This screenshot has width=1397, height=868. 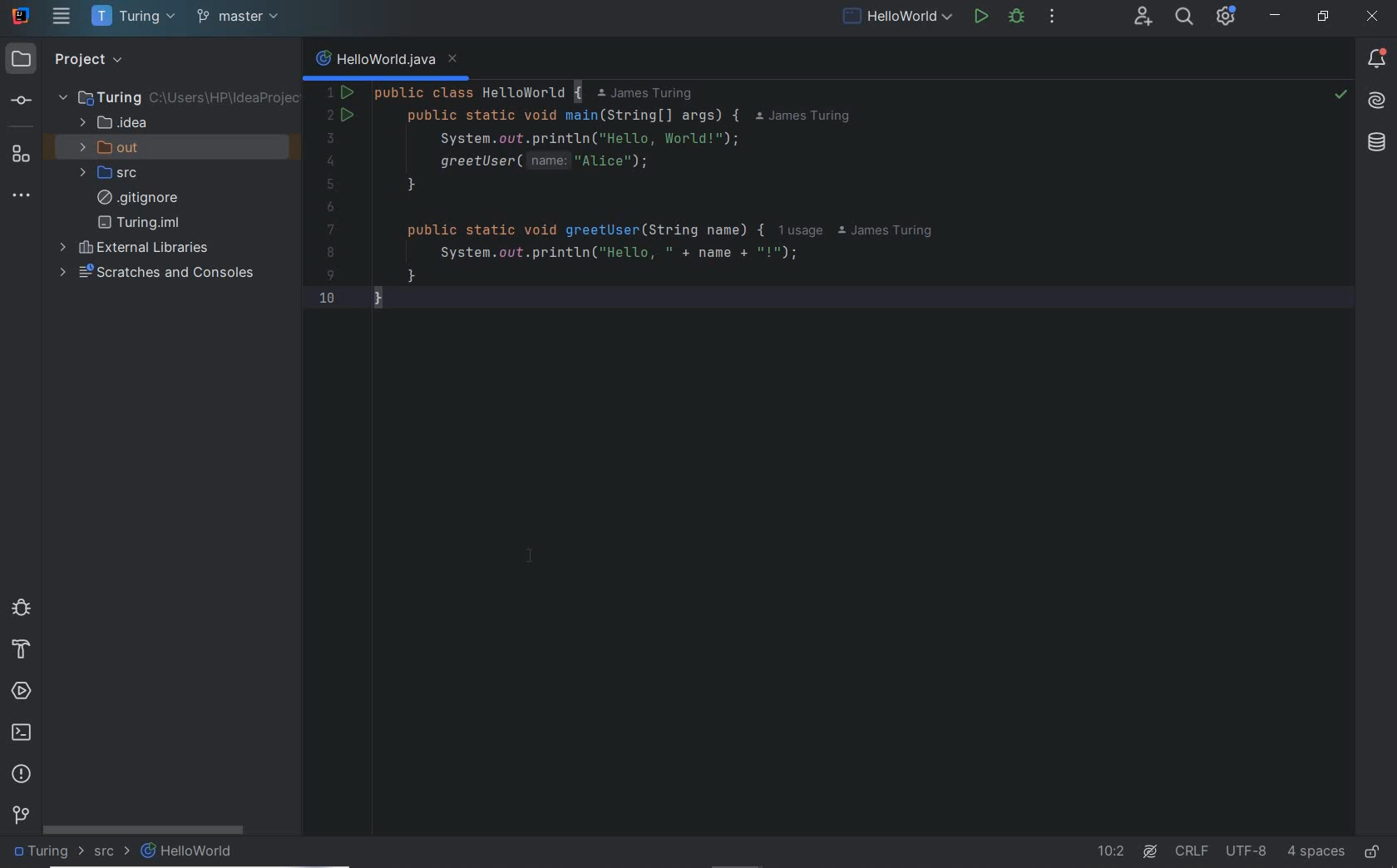 What do you see at coordinates (47, 852) in the screenshot?
I see `turing(project name)` at bounding box center [47, 852].